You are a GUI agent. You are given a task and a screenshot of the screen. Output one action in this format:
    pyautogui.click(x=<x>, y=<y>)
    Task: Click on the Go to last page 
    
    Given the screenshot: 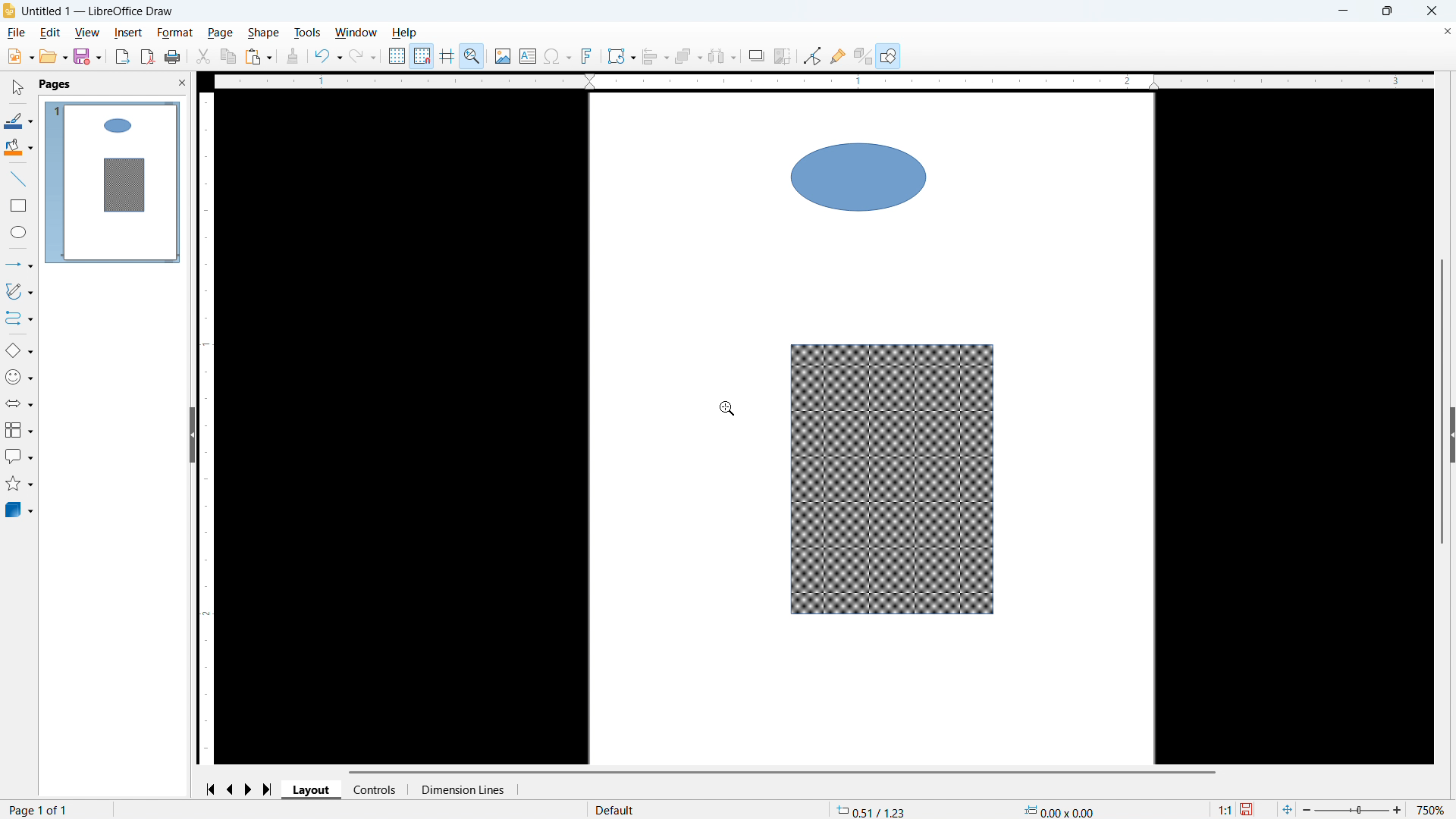 What is the action you would take?
    pyautogui.click(x=268, y=789)
    